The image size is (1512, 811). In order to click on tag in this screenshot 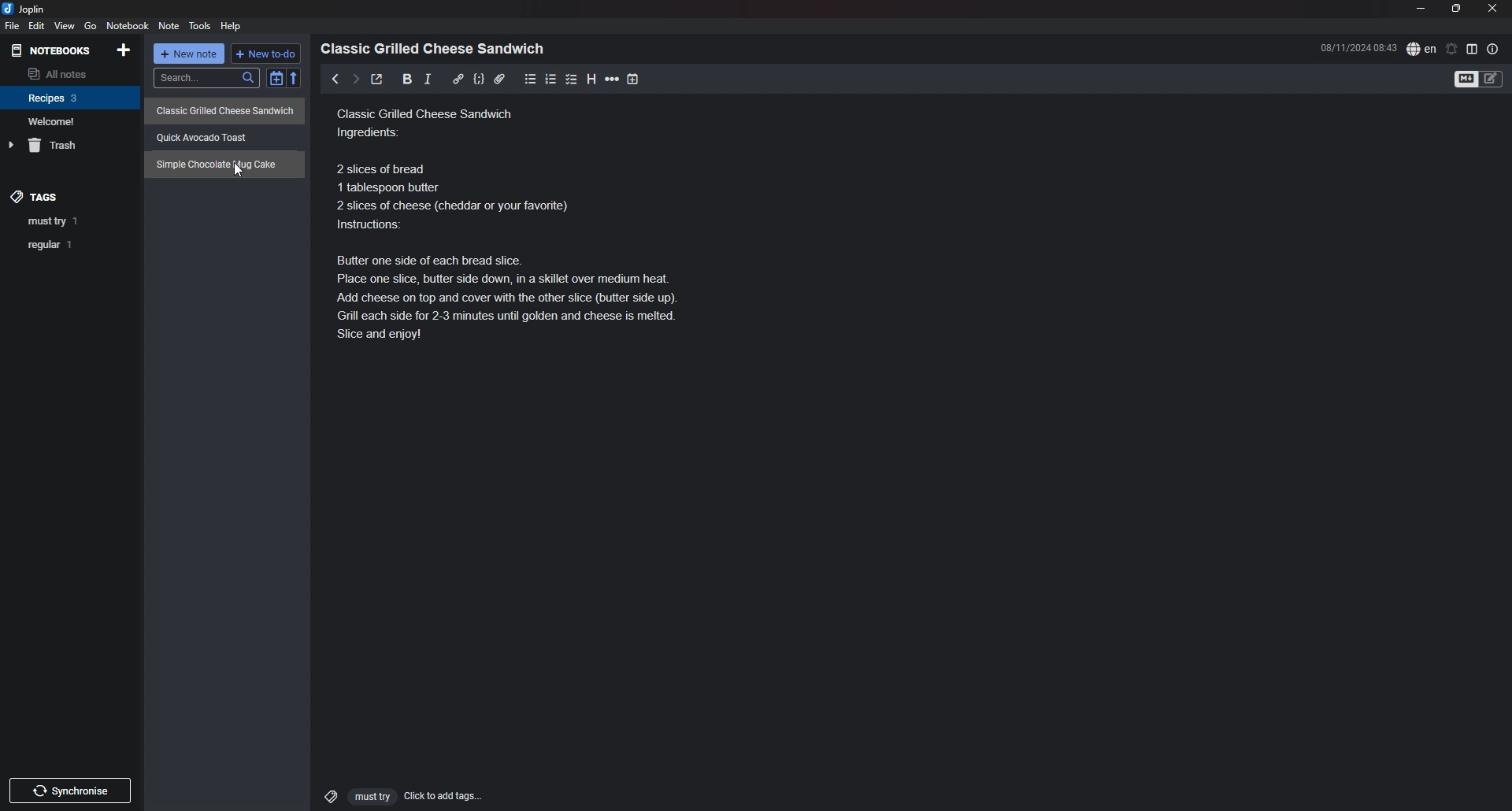, I will do `click(72, 222)`.